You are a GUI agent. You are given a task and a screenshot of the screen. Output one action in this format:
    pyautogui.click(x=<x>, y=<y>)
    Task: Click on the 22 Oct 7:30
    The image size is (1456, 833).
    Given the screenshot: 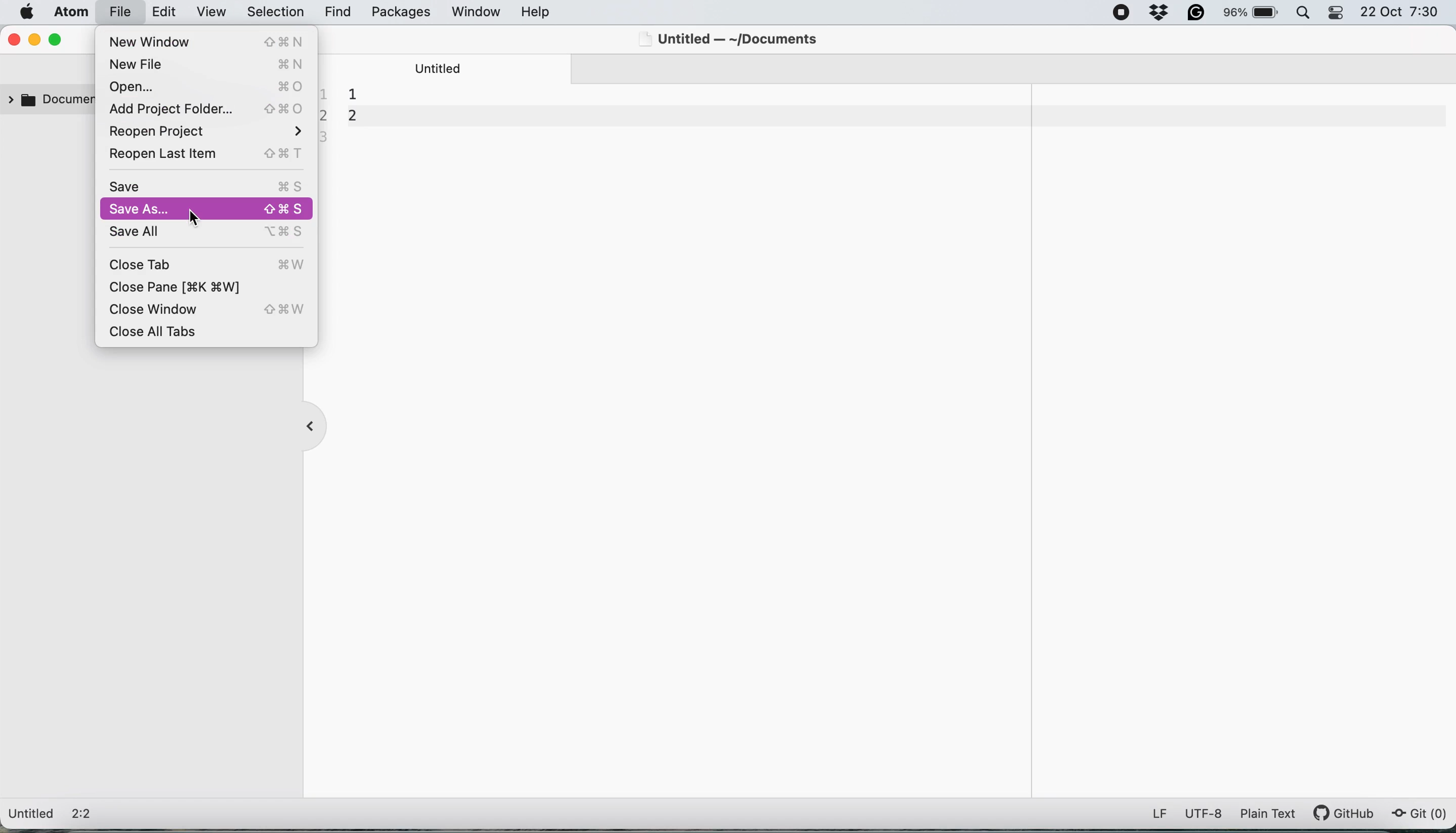 What is the action you would take?
    pyautogui.click(x=1400, y=12)
    